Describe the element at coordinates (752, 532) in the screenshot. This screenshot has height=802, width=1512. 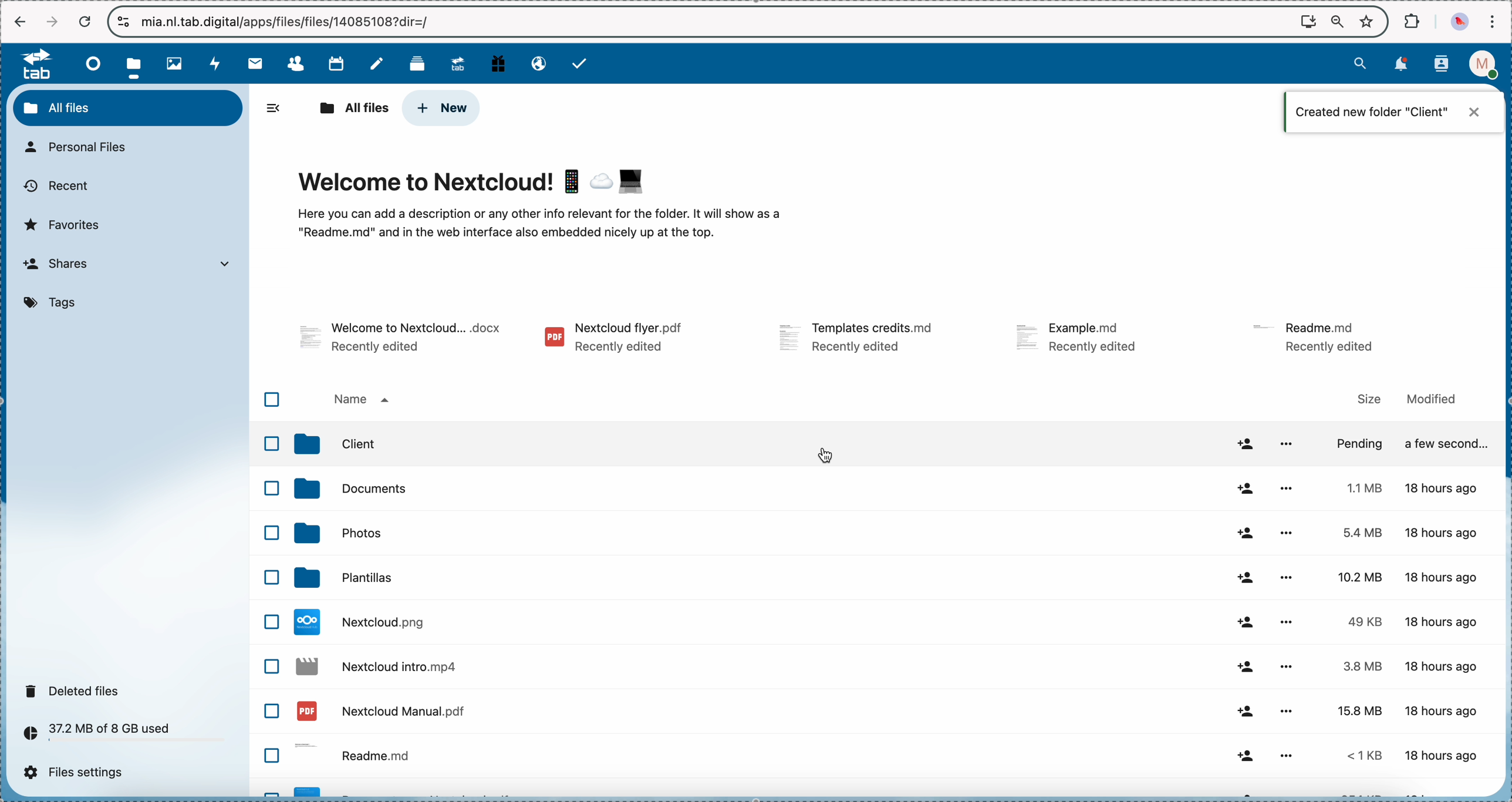
I see `templates` at that location.